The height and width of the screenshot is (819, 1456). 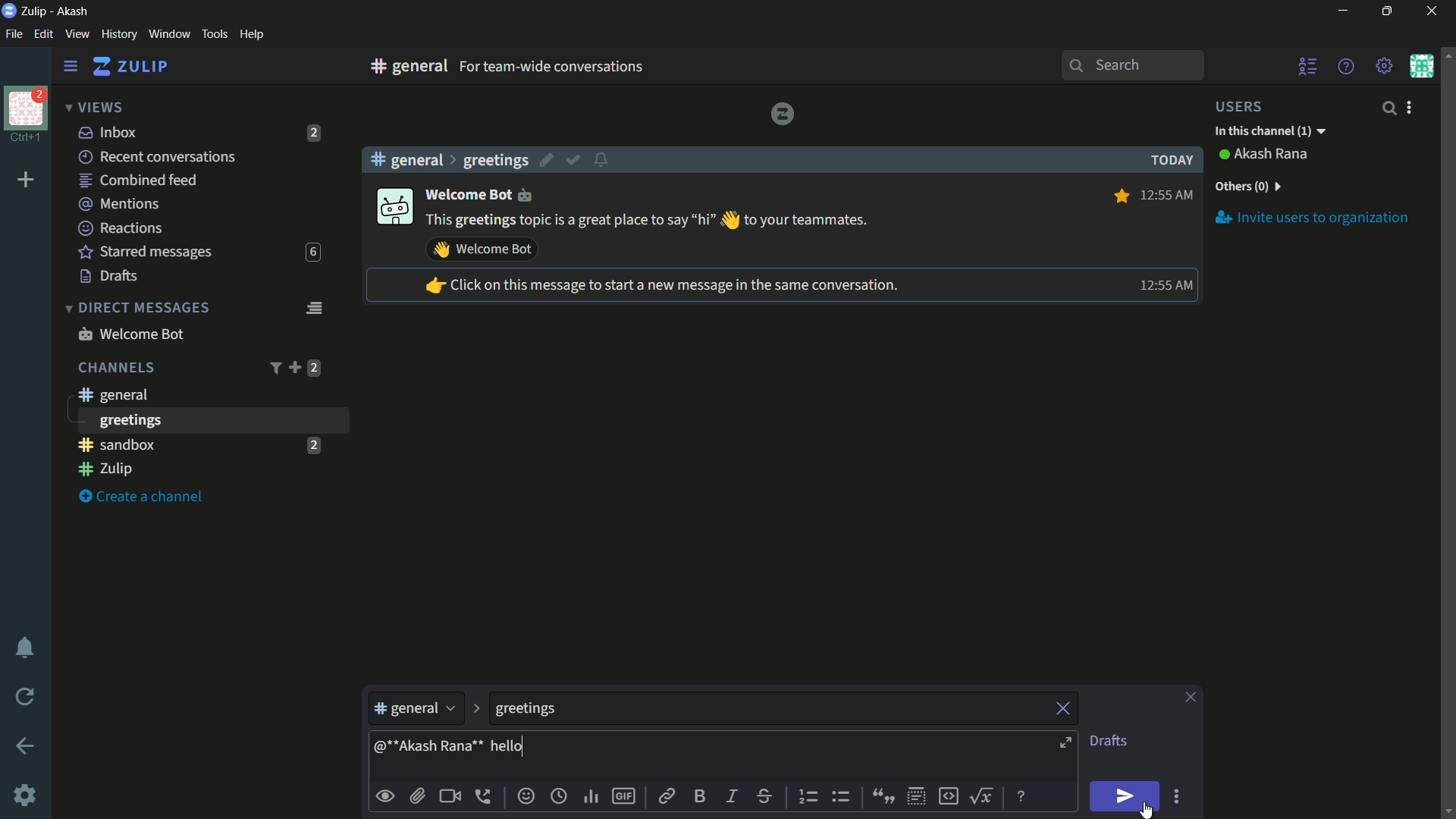 What do you see at coordinates (212, 420) in the screenshot?
I see `greeting channel` at bounding box center [212, 420].